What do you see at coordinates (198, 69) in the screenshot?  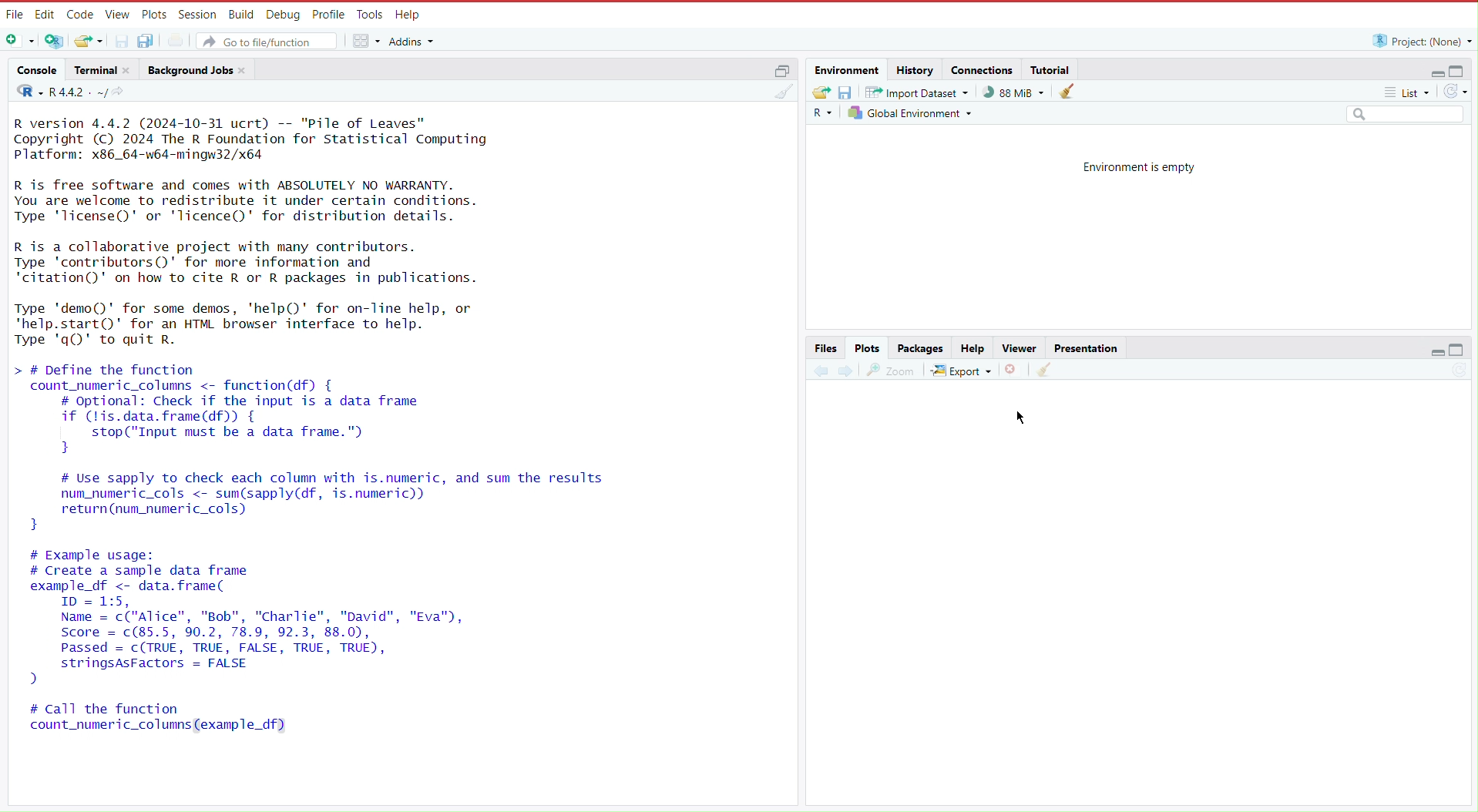 I see `Background Jobs` at bounding box center [198, 69].